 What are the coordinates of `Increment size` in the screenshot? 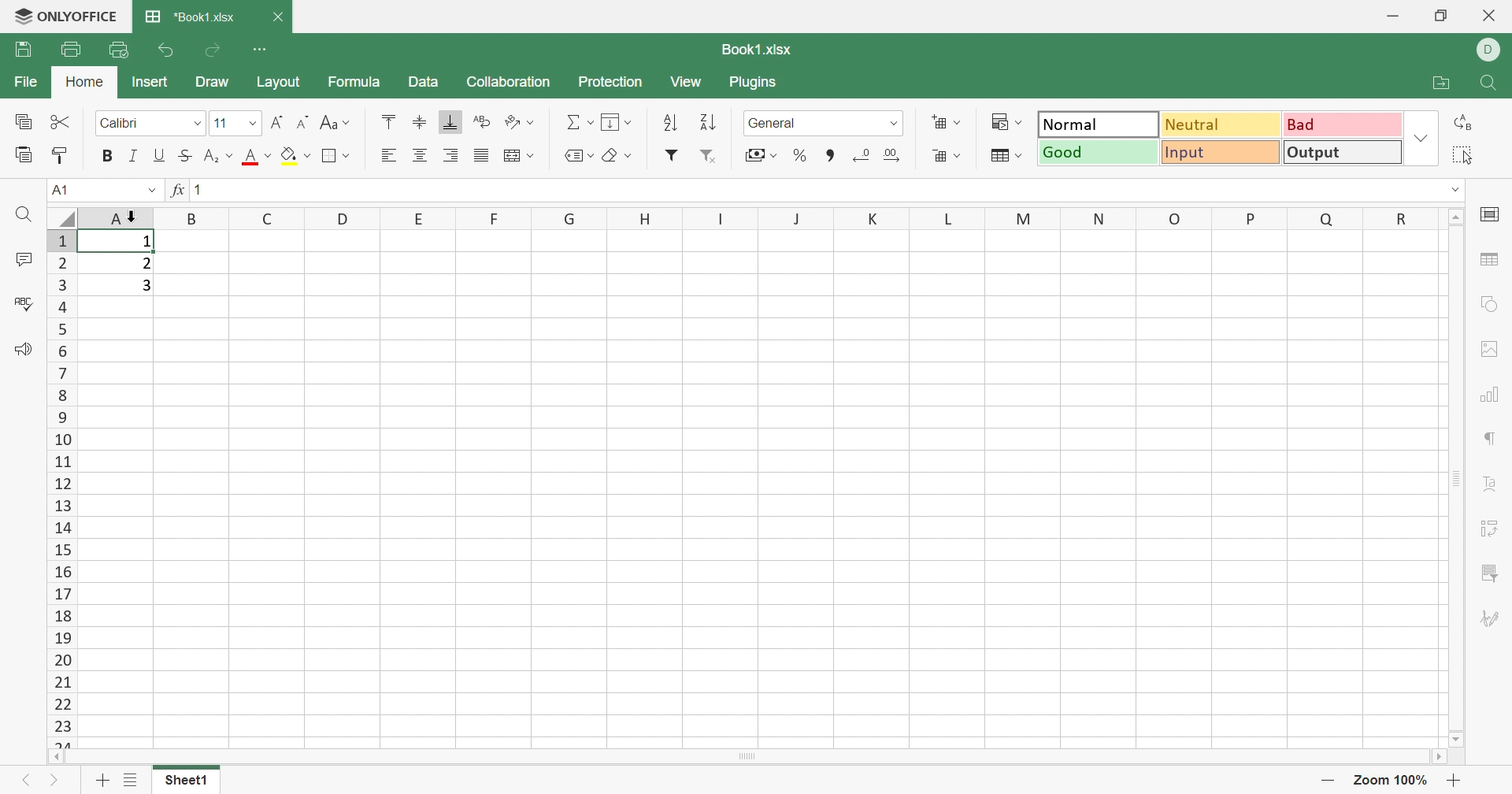 It's located at (305, 121).